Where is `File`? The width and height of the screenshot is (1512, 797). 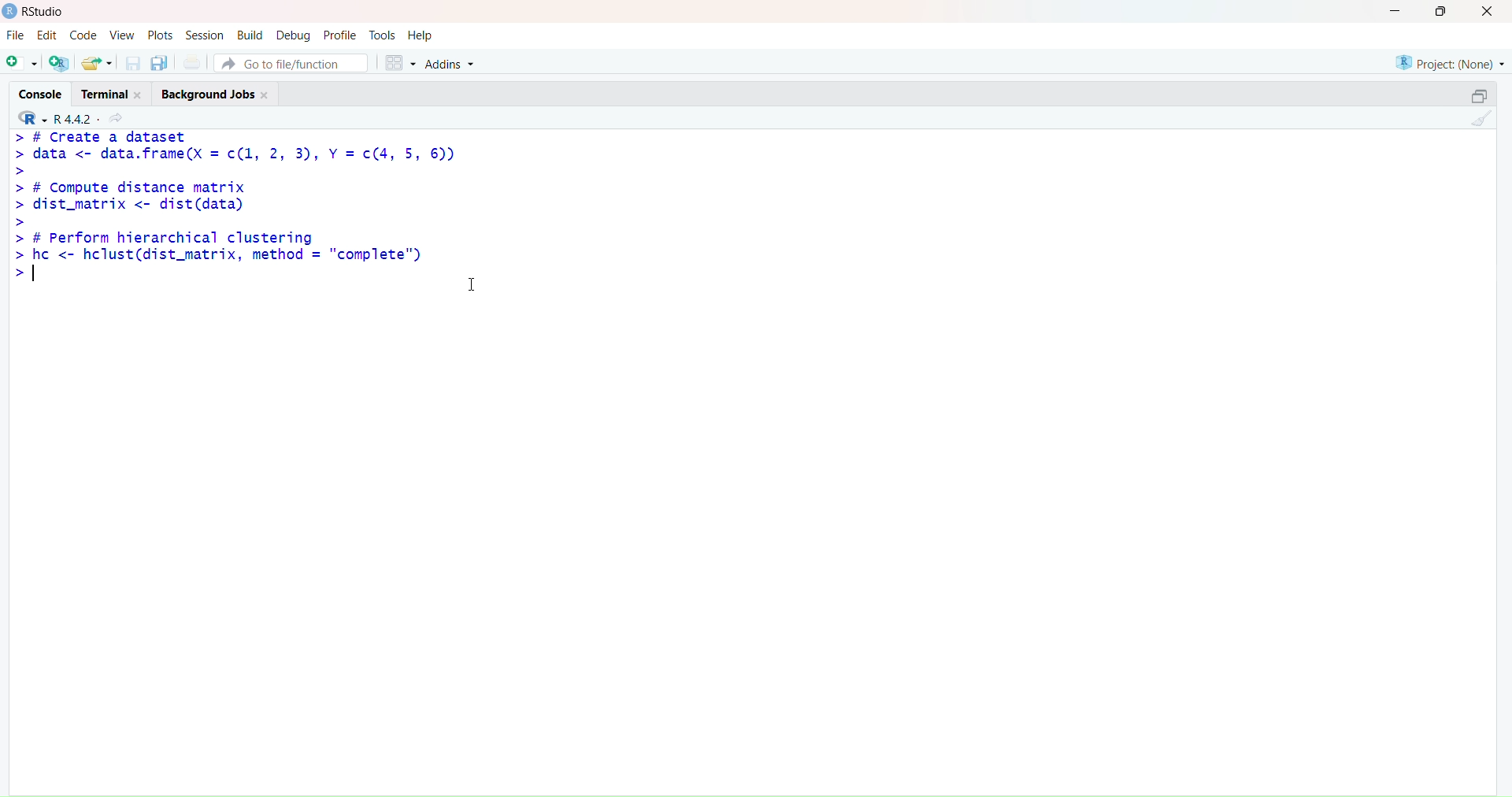 File is located at coordinates (13, 34).